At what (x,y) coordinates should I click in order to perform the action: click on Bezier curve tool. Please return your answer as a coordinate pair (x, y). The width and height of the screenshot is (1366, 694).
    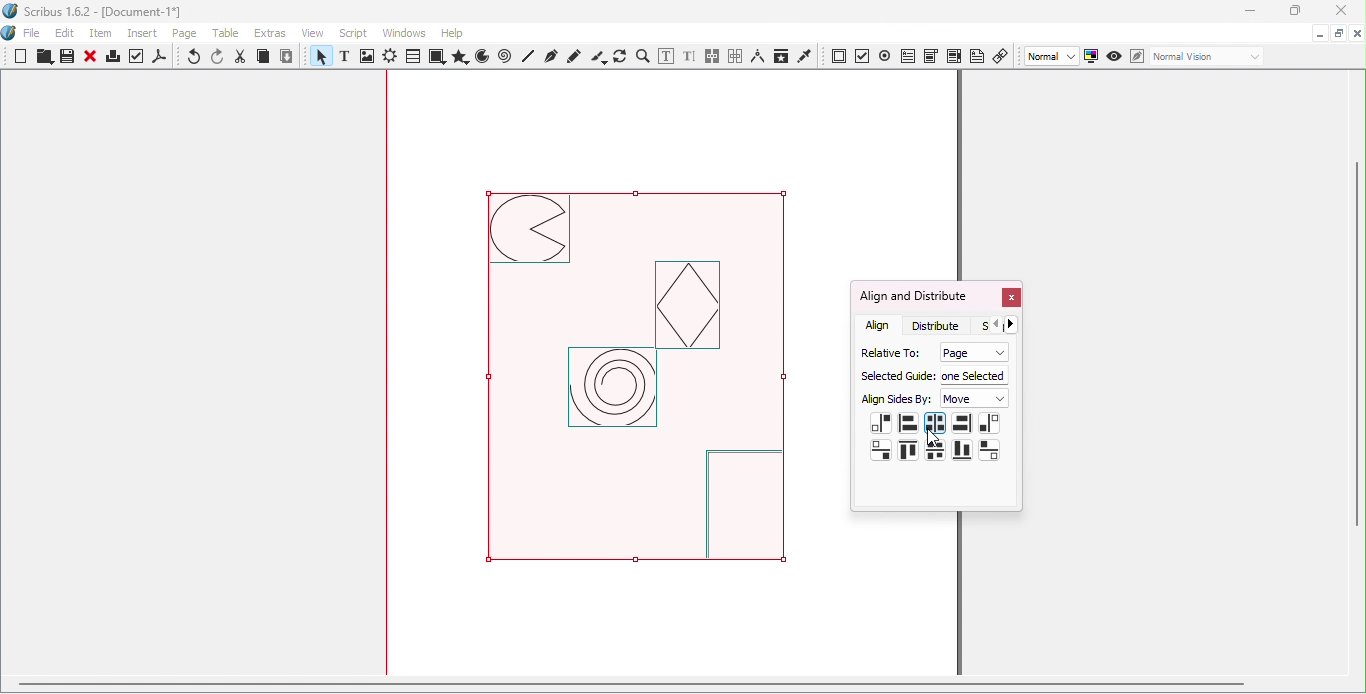
    Looking at the image, I should click on (550, 56).